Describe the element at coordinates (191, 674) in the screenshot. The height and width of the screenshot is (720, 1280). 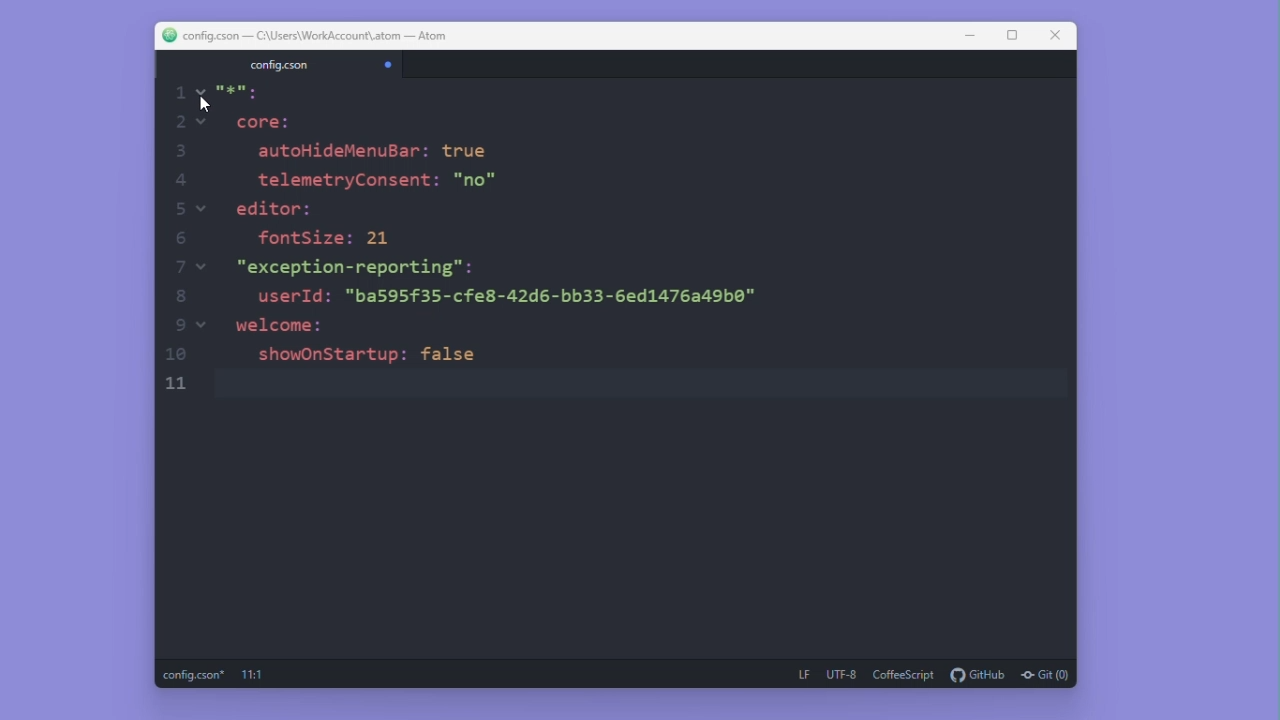
I see `config.cson` at that location.